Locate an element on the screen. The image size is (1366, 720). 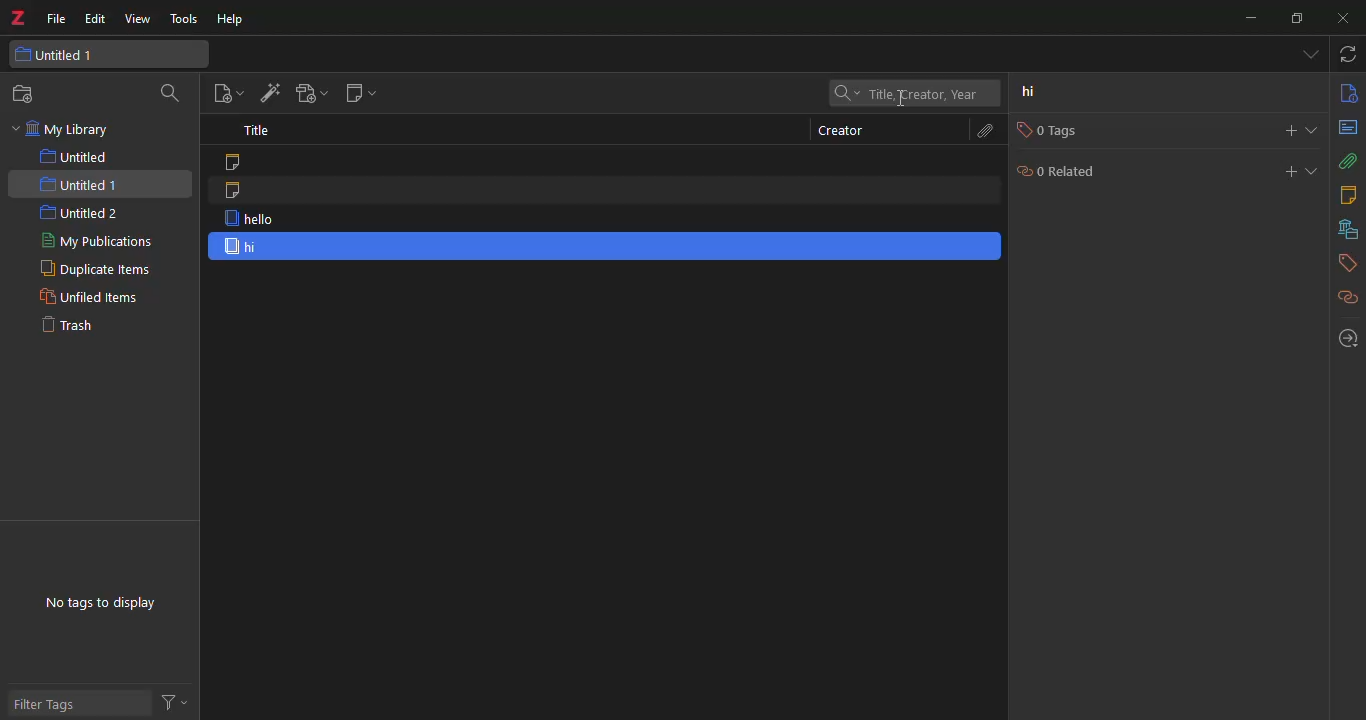
attach is located at coordinates (1348, 162).